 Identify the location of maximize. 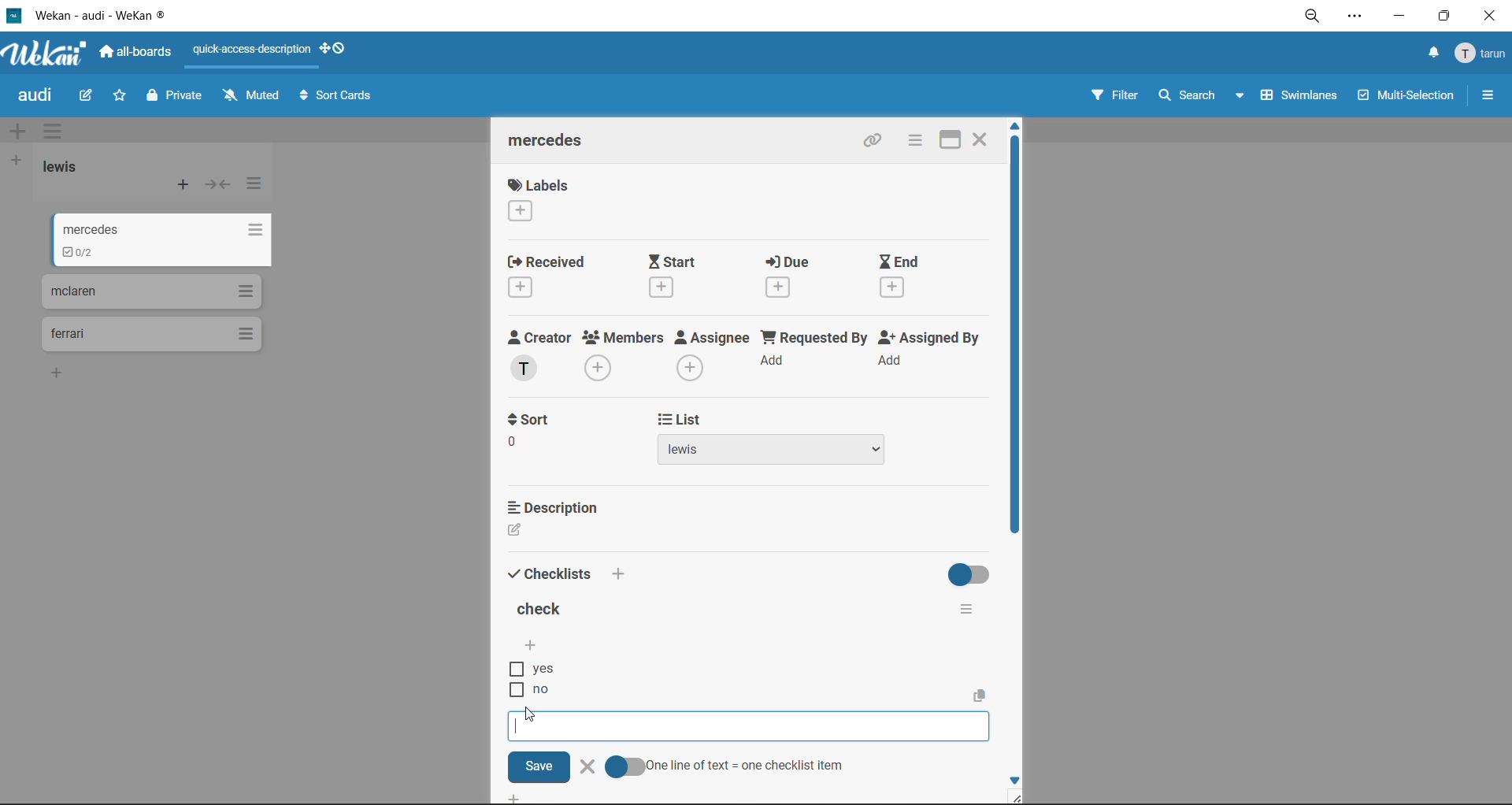
(947, 142).